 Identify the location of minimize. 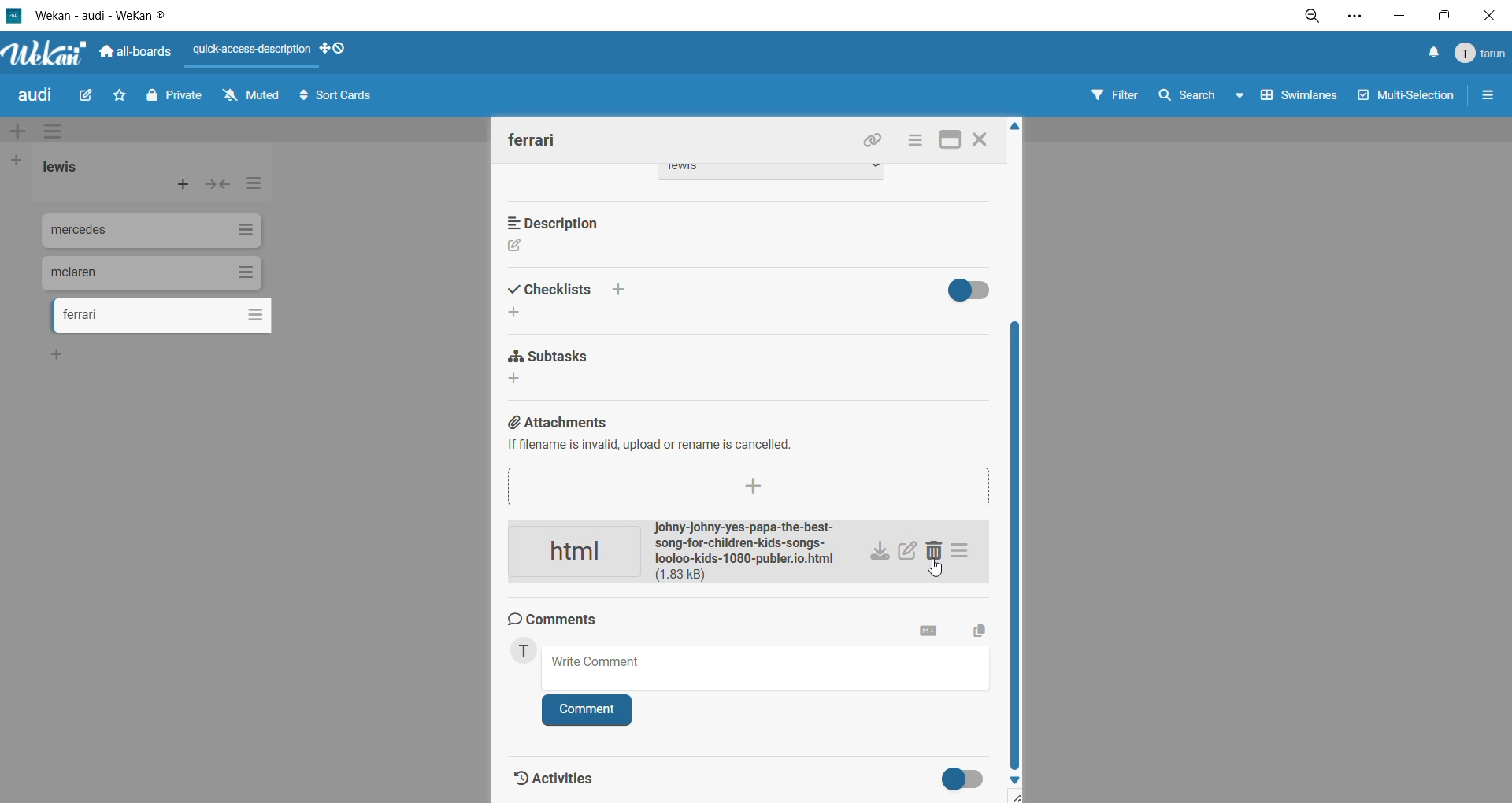
(1398, 17).